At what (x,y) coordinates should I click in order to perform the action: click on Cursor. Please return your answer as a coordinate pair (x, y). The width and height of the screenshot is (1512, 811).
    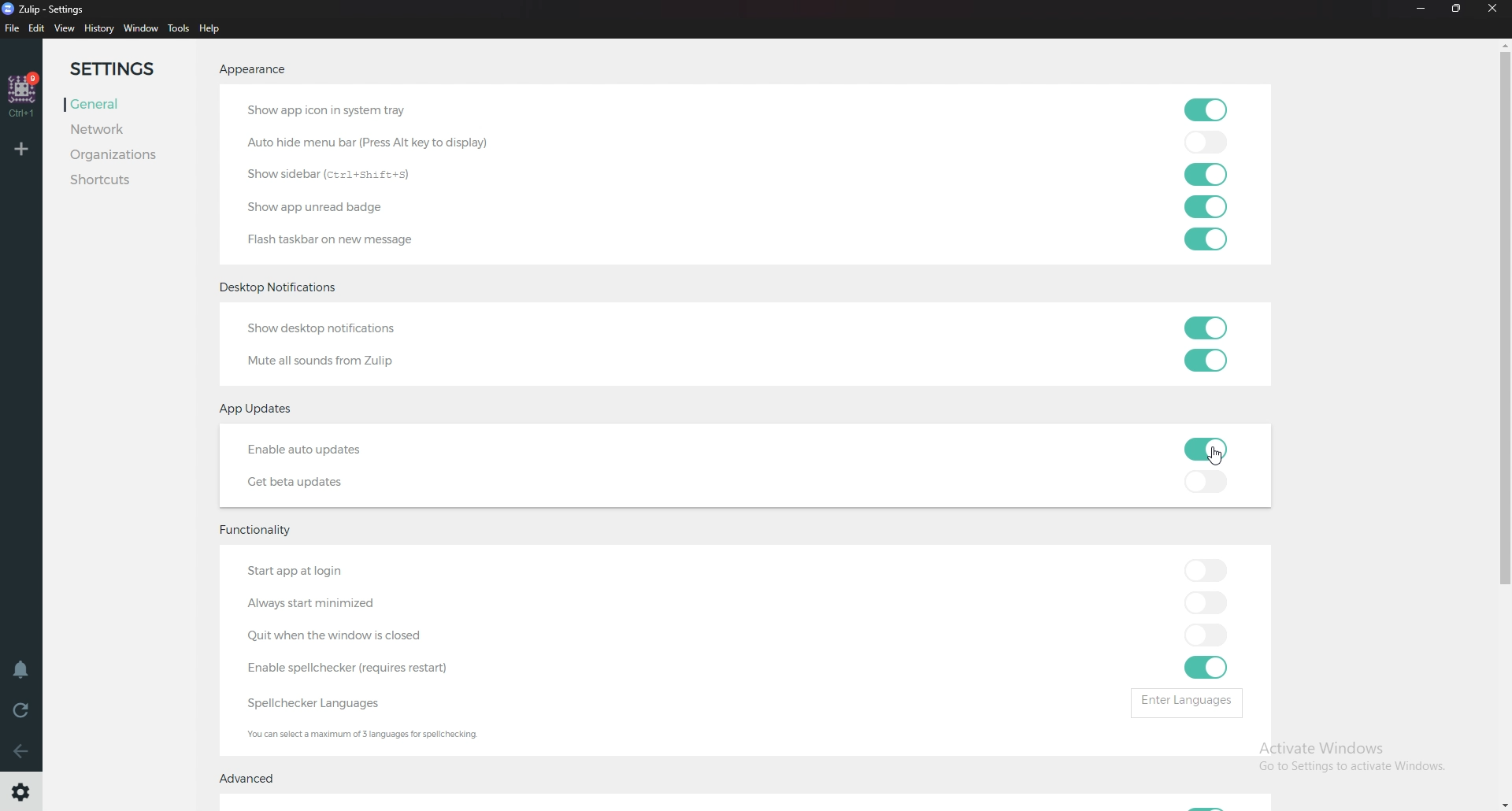
    Looking at the image, I should click on (1210, 461).